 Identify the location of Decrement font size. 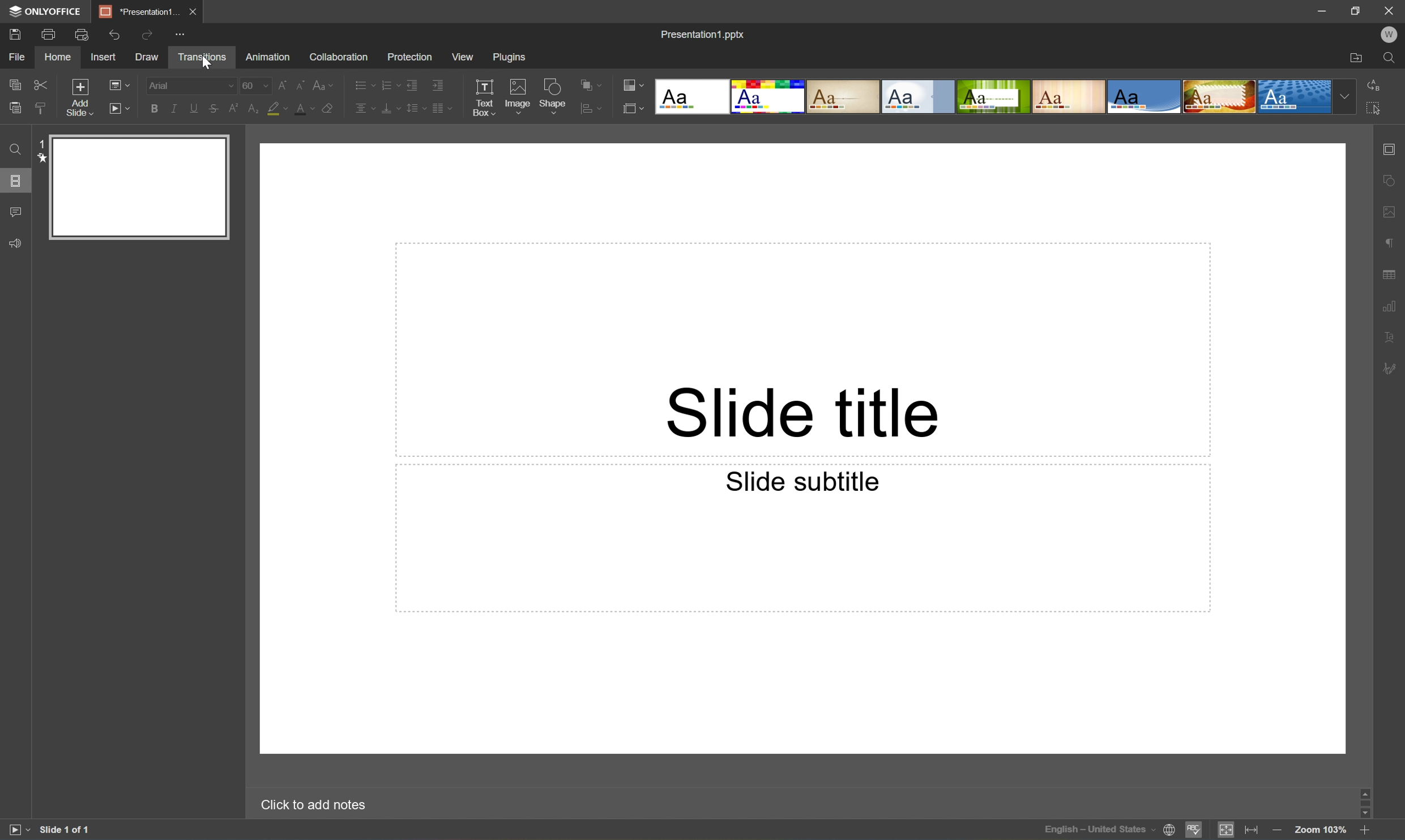
(298, 85).